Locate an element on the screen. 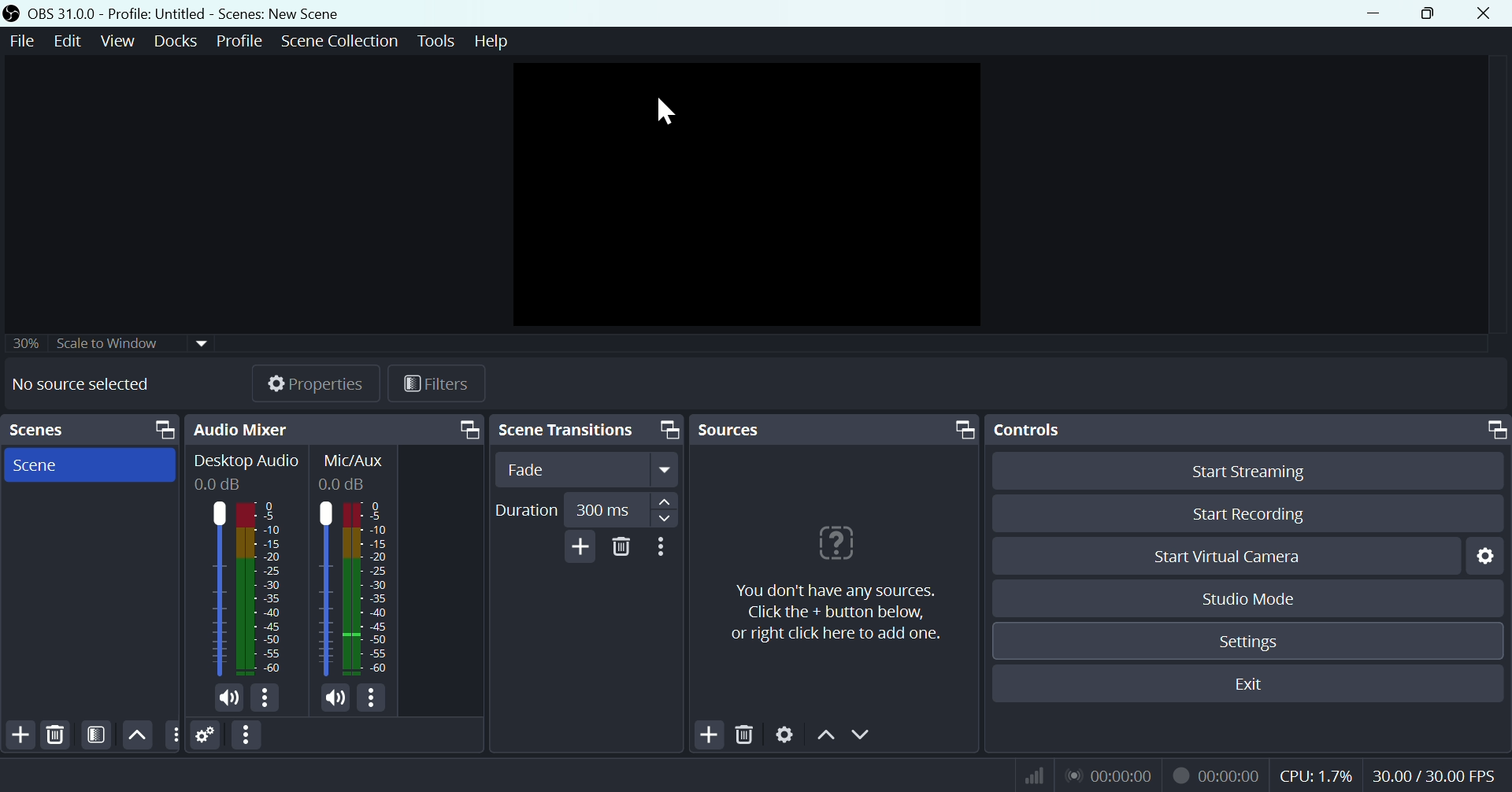  Mic/Aus is located at coordinates (354, 472).